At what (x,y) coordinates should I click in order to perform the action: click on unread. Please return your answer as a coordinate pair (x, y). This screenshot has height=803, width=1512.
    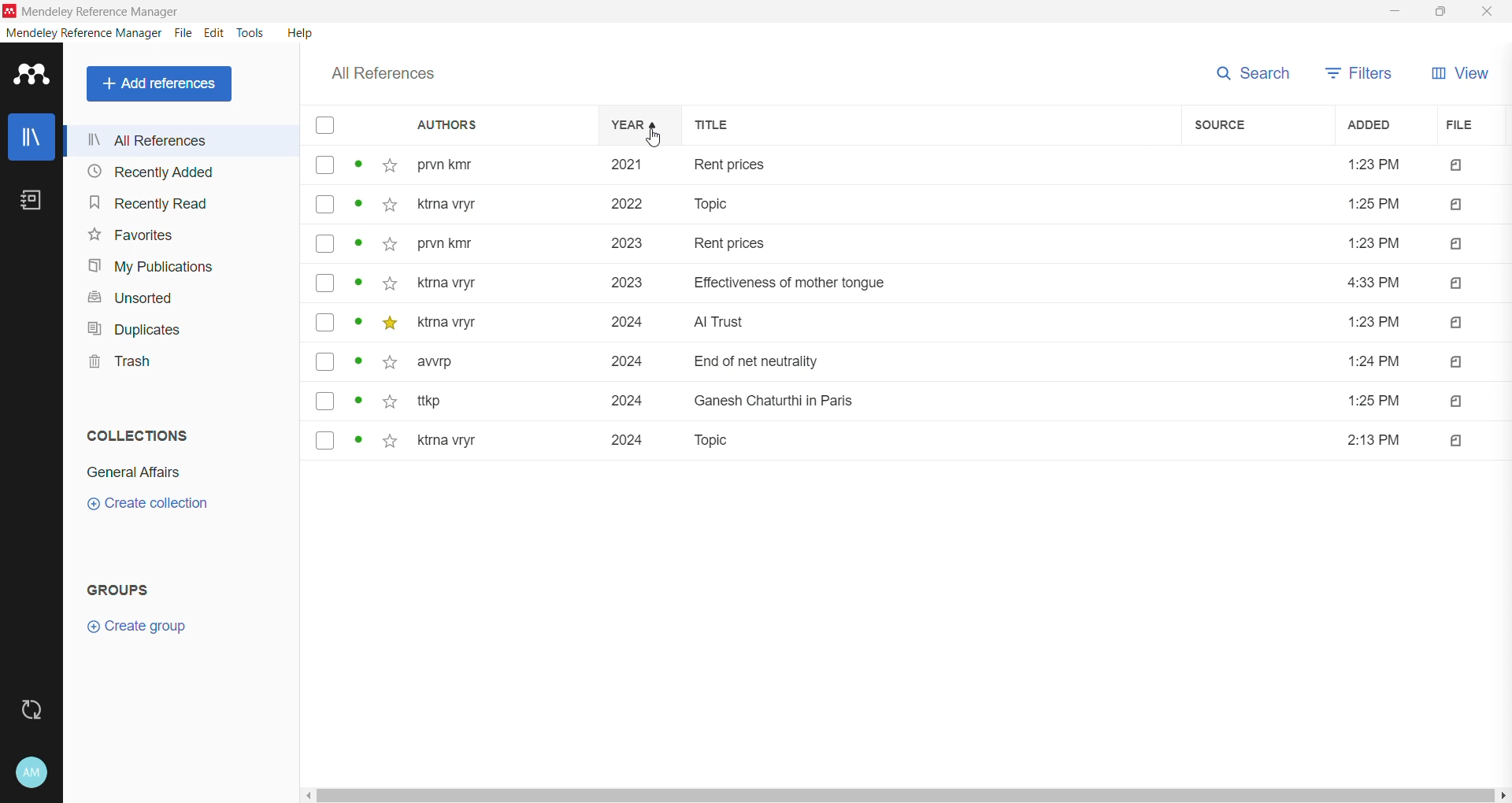
    Looking at the image, I should click on (358, 361).